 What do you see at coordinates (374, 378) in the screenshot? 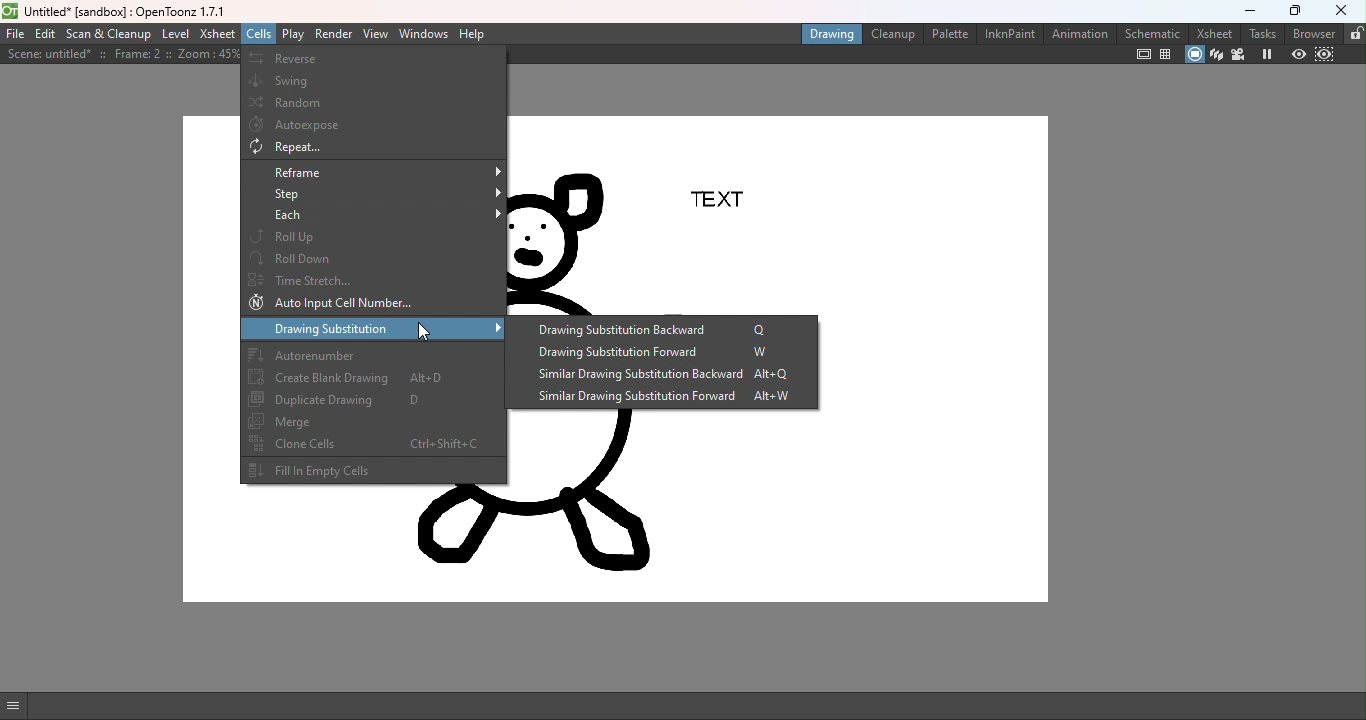
I see `Create blank drawing` at bounding box center [374, 378].